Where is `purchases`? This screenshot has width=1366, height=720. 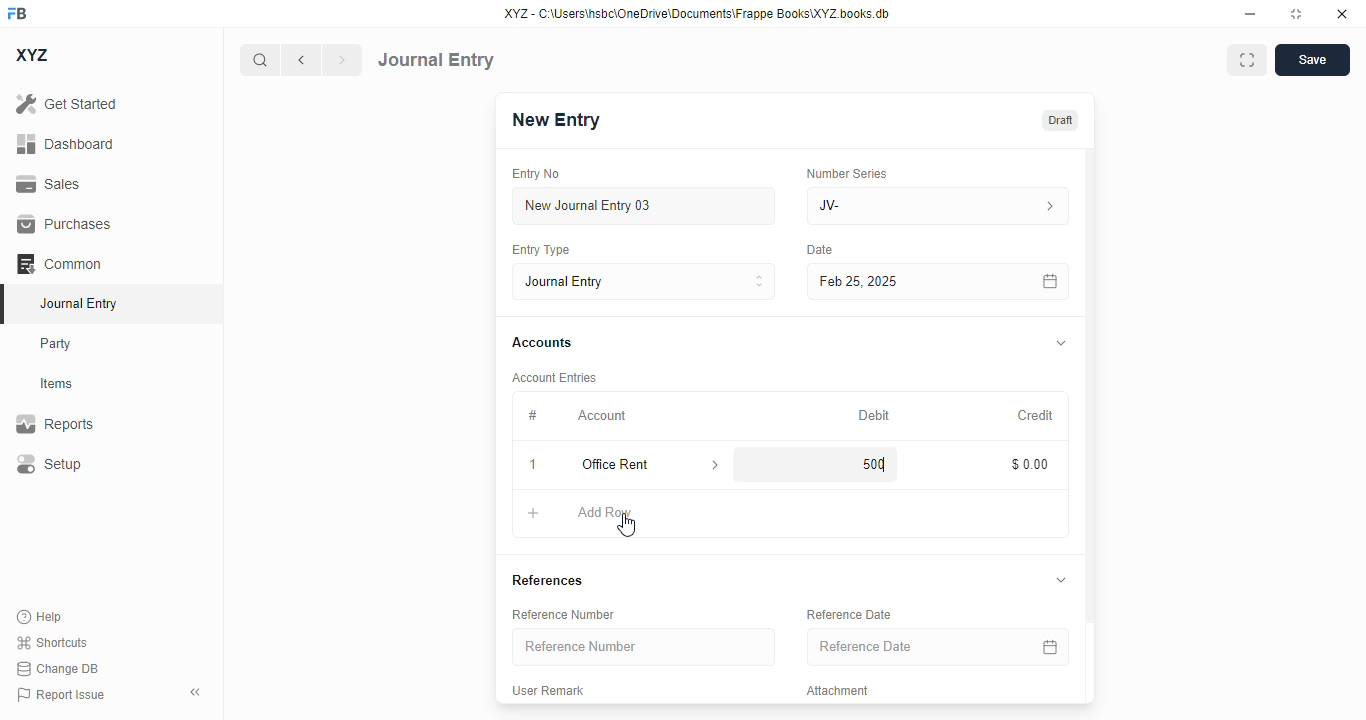
purchases is located at coordinates (65, 224).